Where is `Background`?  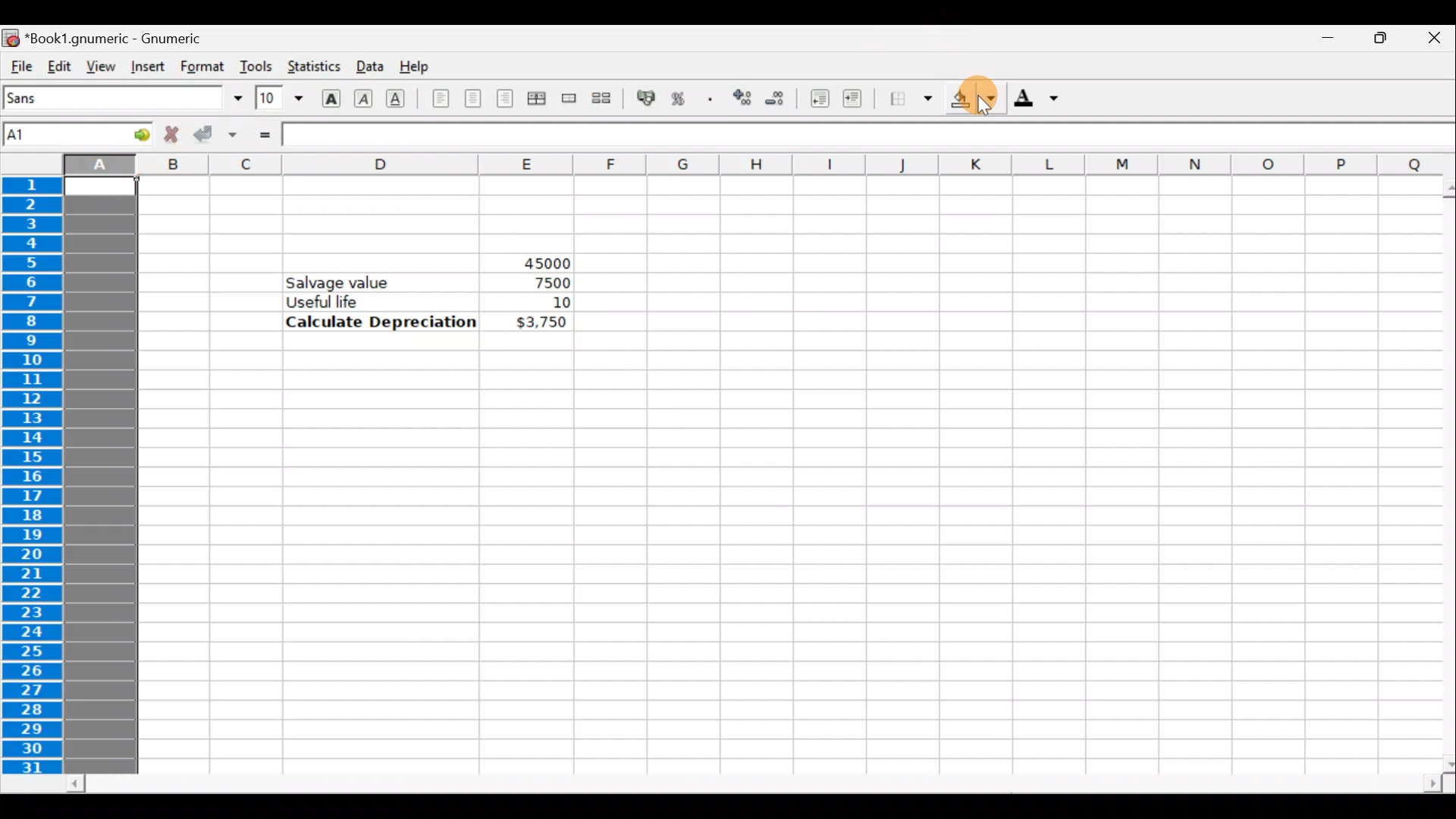 Background is located at coordinates (974, 99).